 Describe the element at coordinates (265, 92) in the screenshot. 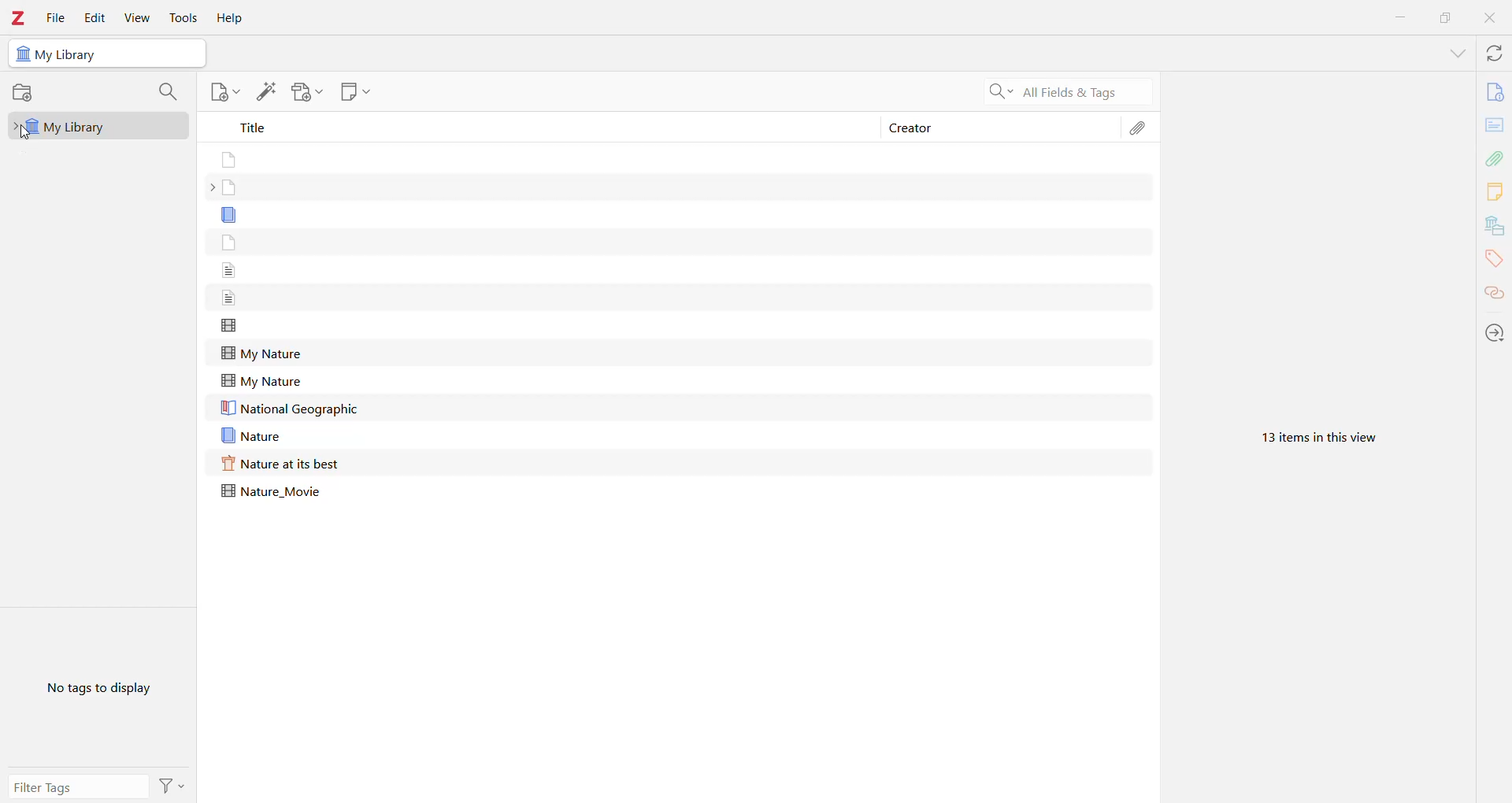

I see `Add Item(s) by Identifier` at that location.